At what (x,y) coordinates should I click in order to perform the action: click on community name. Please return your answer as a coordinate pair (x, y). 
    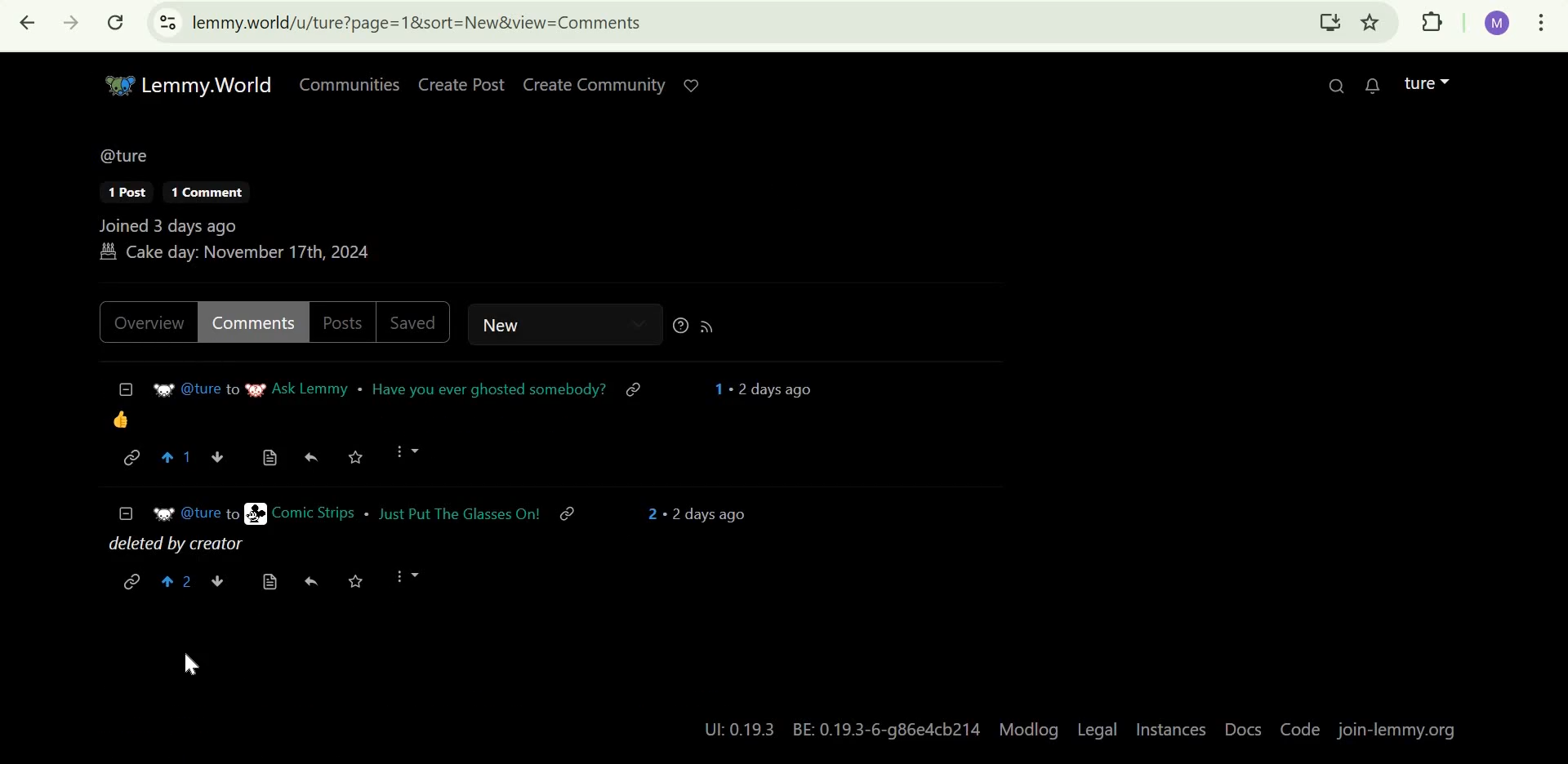
    Looking at the image, I should click on (296, 390).